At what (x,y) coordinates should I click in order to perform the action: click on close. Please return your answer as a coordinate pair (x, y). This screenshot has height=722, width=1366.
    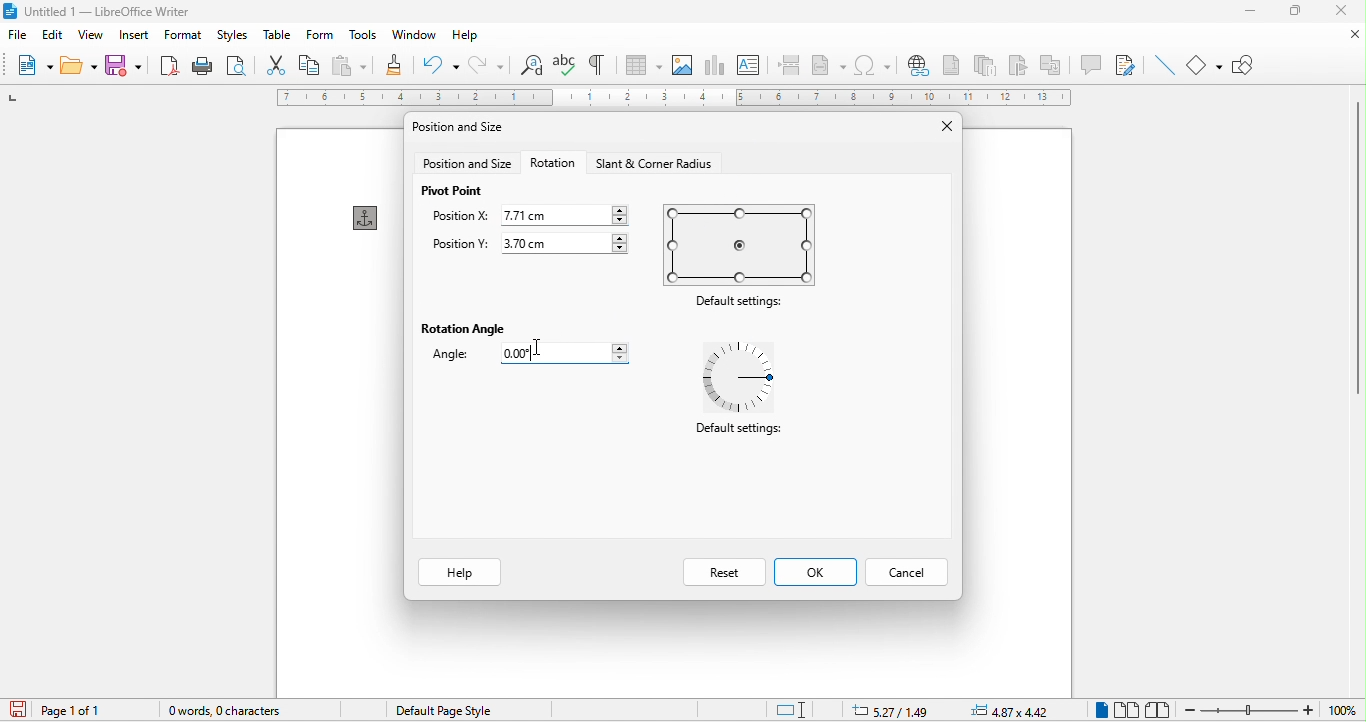
    Looking at the image, I should click on (1352, 35).